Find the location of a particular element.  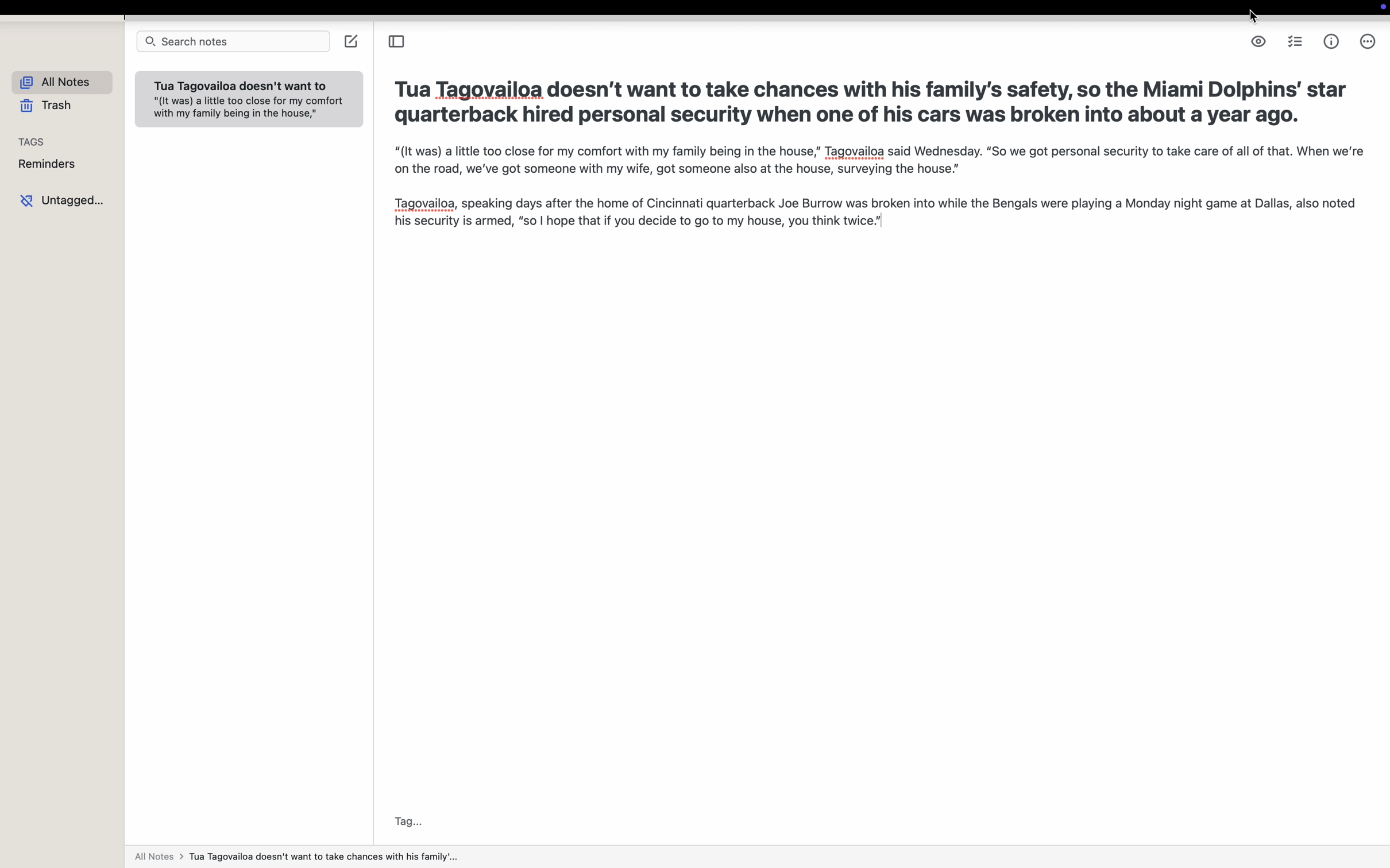

markdown is located at coordinates (1258, 42).